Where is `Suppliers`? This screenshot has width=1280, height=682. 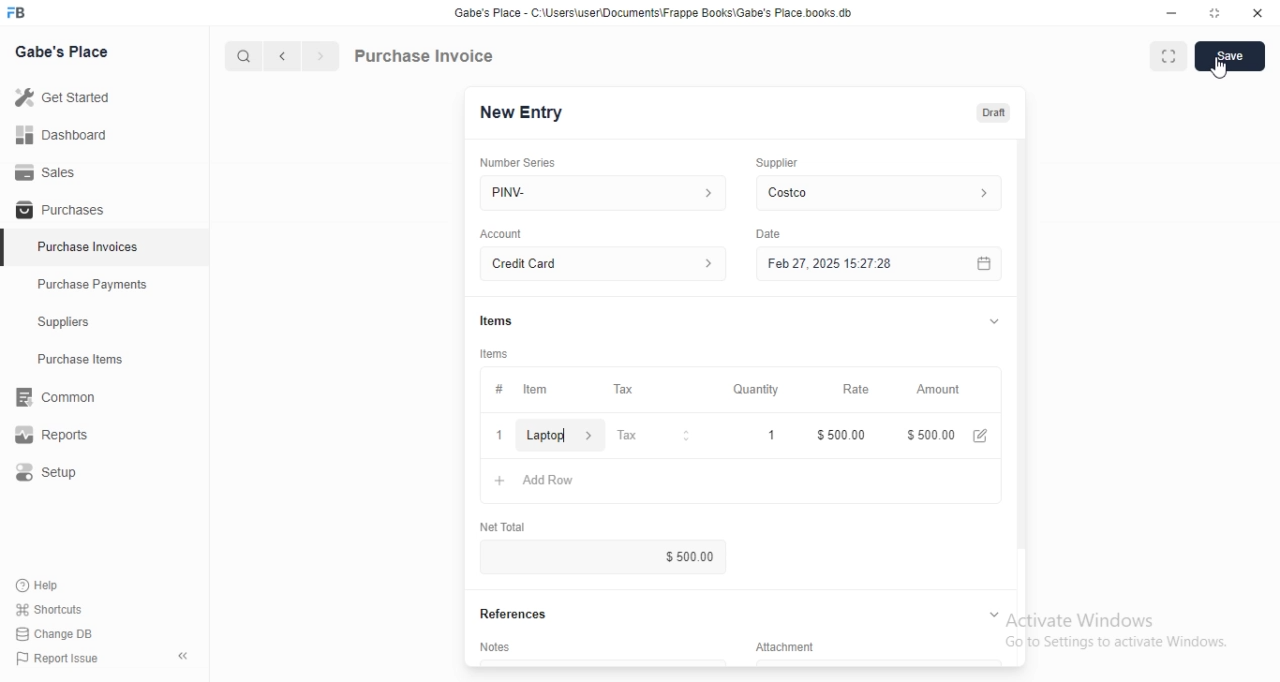 Suppliers is located at coordinates (104, 321).